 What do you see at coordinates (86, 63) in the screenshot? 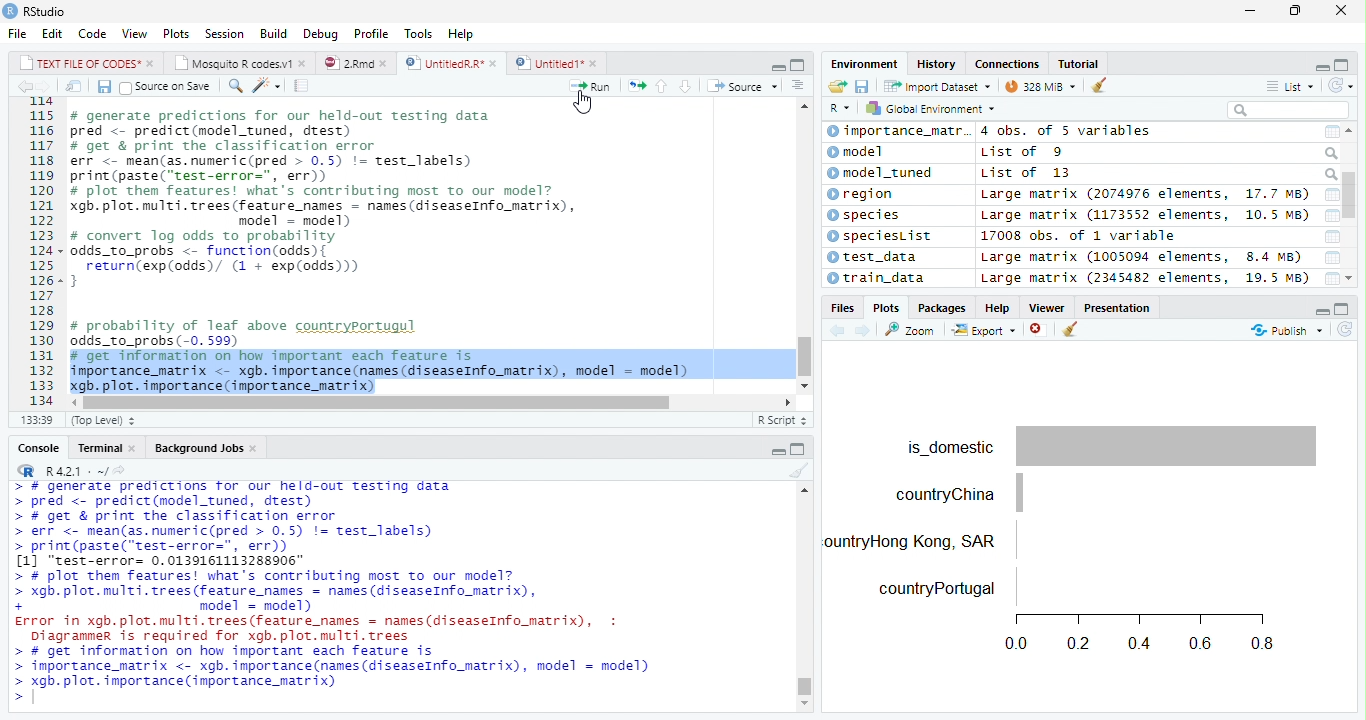
I see `TEXT FILE OF CODES" ` at bounding box center [86, 63].